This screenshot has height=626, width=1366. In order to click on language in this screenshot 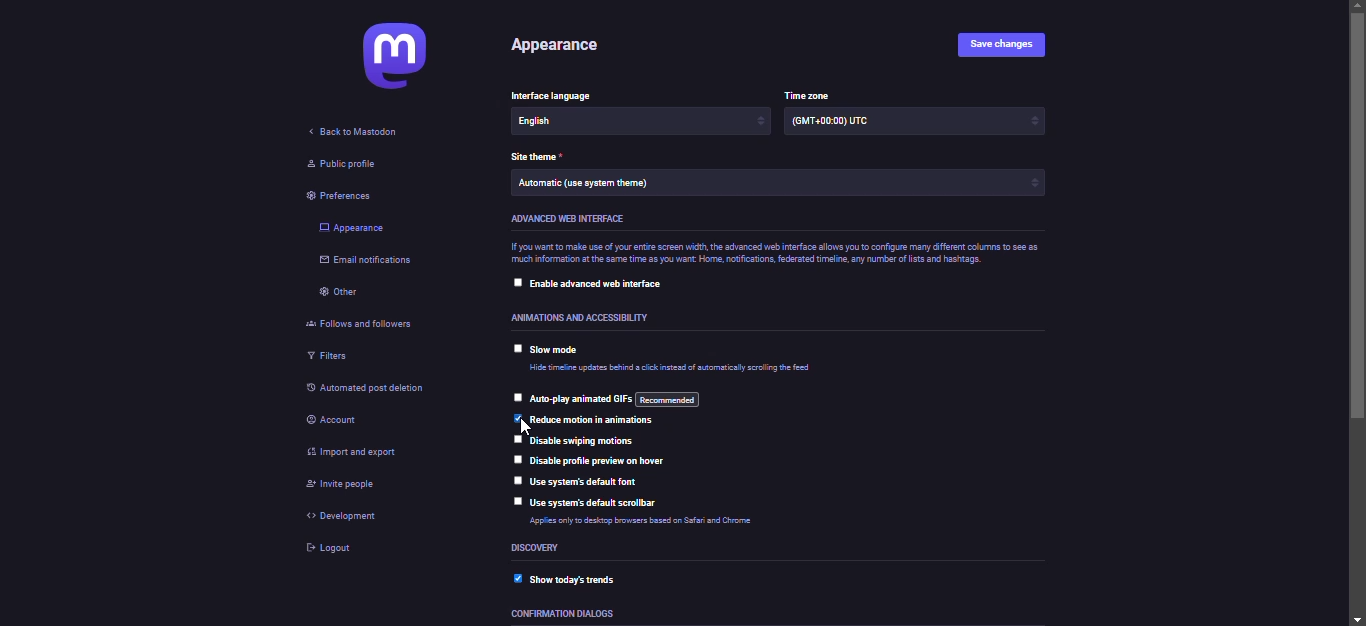, I will do `click(560, 94)`.